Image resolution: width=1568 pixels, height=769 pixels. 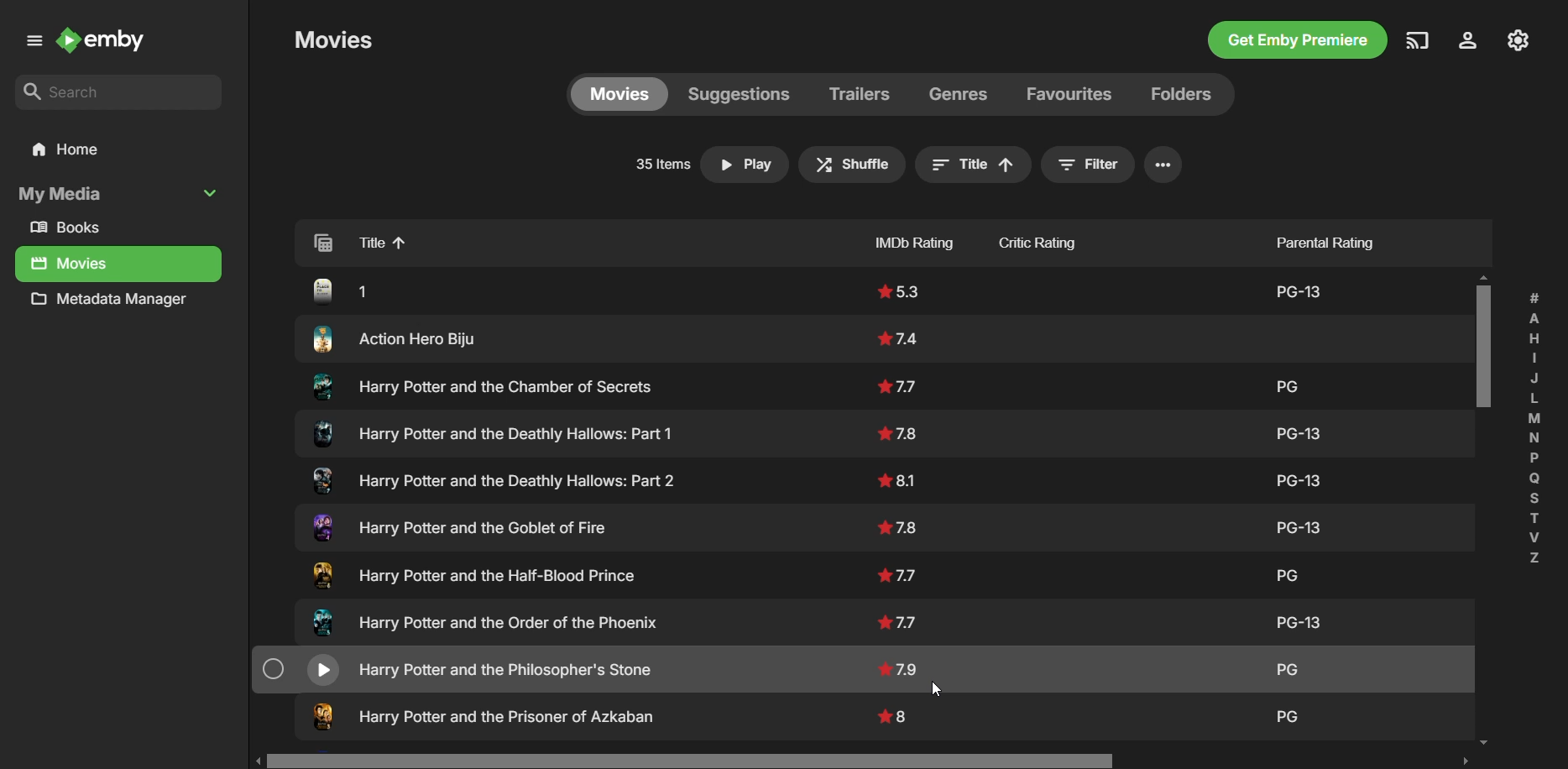 I want to click on , so click(x=1326, y=623).